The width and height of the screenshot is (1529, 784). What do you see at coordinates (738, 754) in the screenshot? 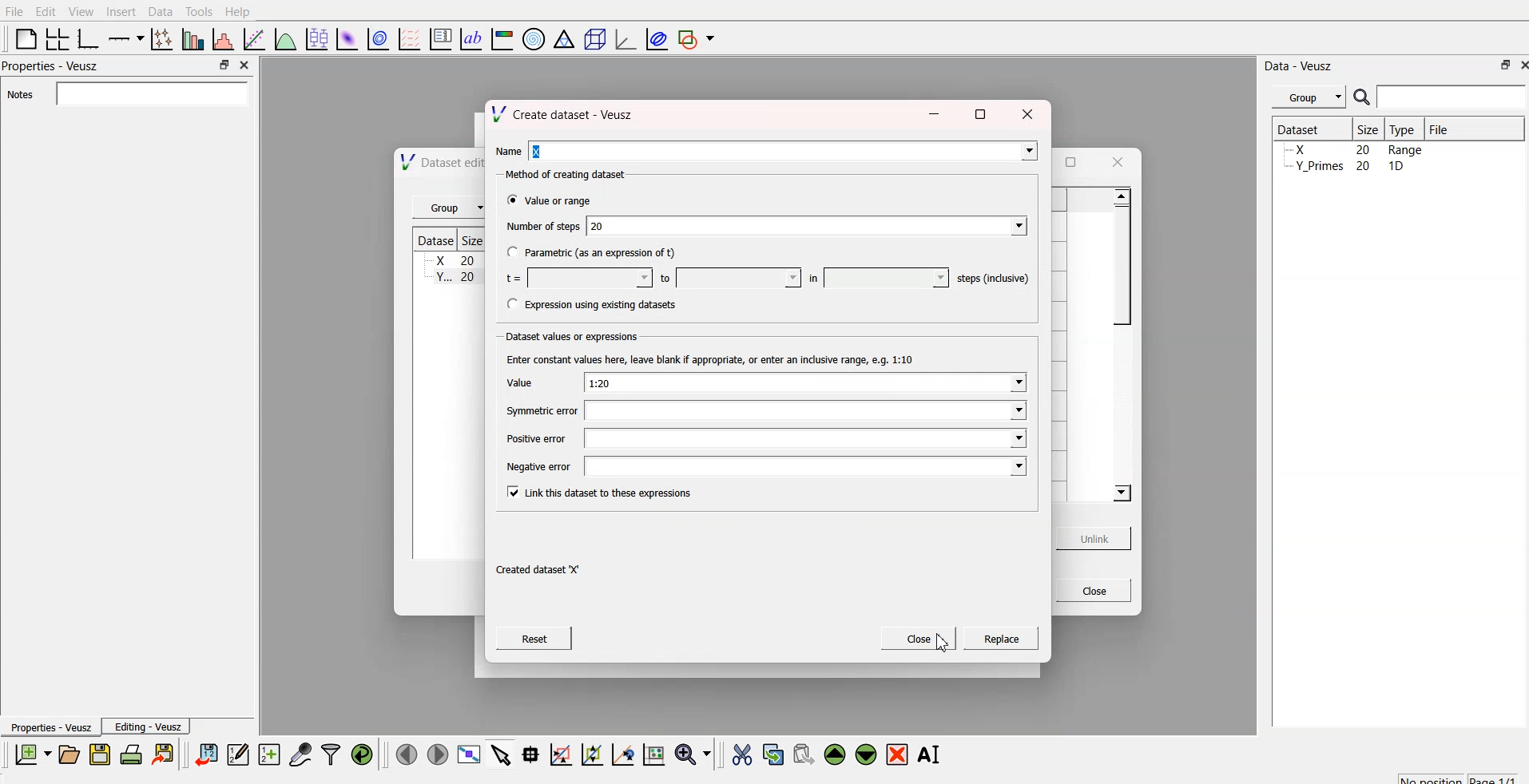
I see `cut the widget` at bounding box center [738, 754].